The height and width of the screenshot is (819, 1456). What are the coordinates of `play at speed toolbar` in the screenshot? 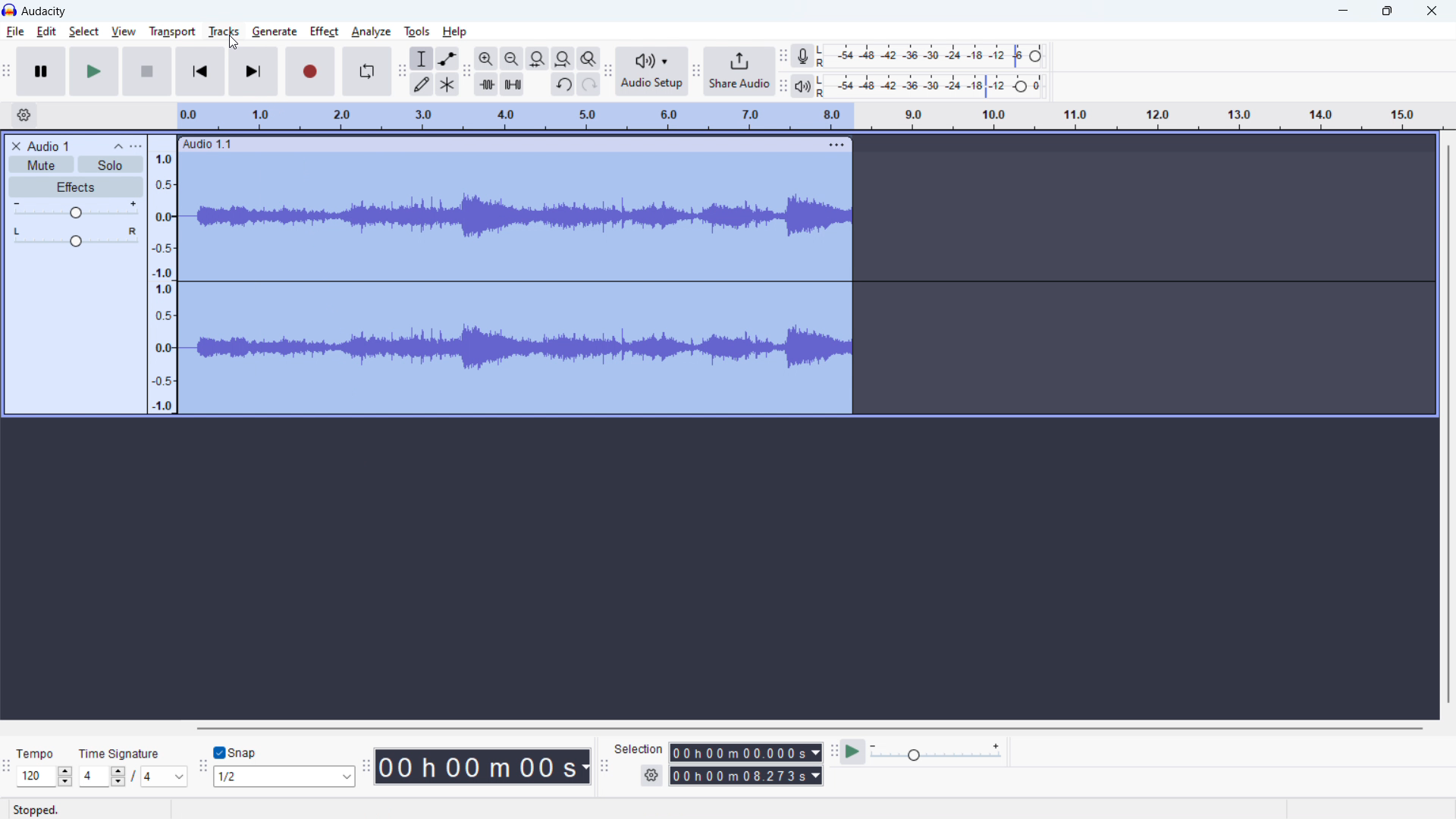 It's located at (833, 752).